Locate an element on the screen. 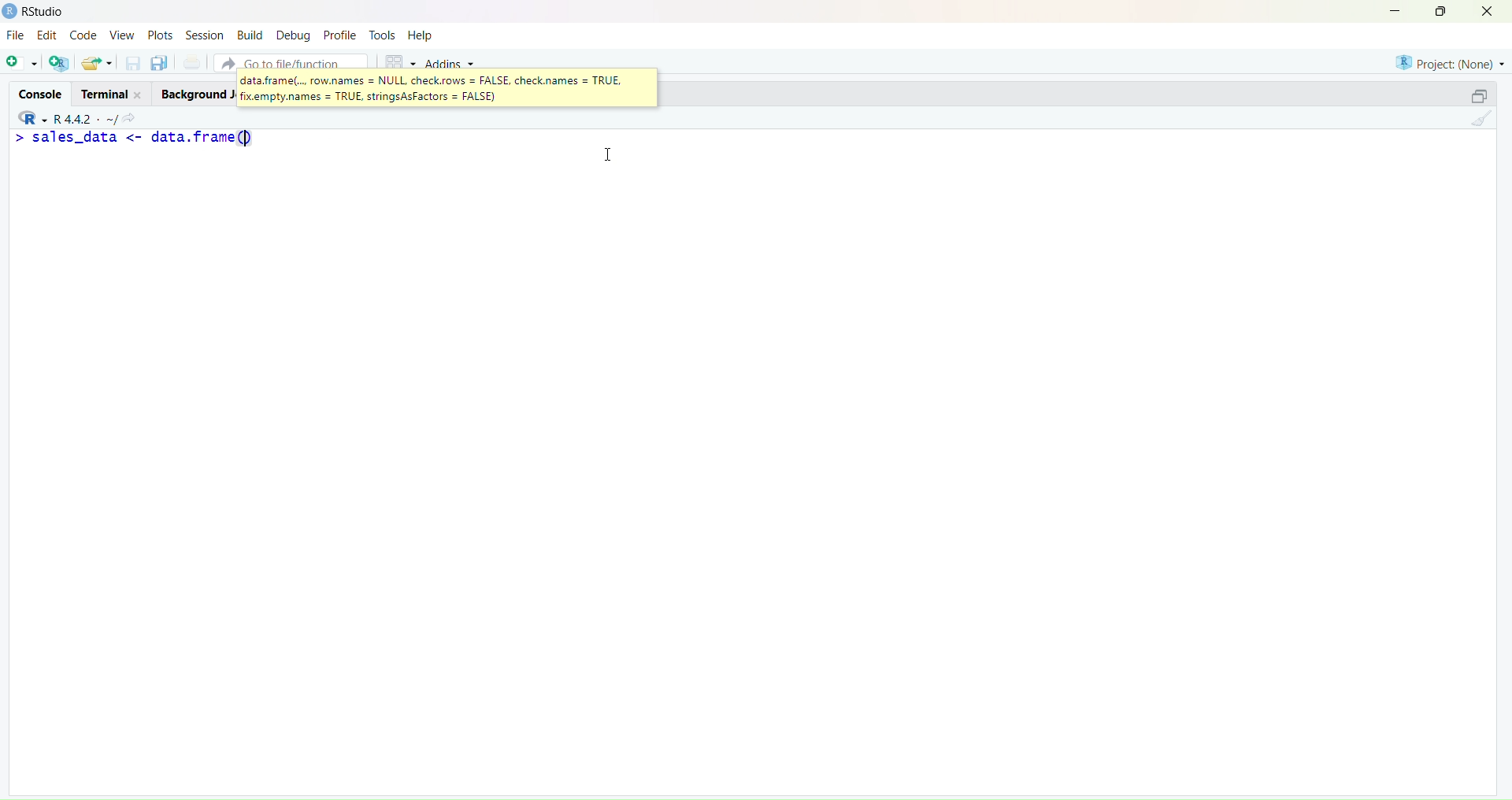 Image resolution: width=1512 pixels, height=800 pixels. Help is located at coordinates (423, 36).